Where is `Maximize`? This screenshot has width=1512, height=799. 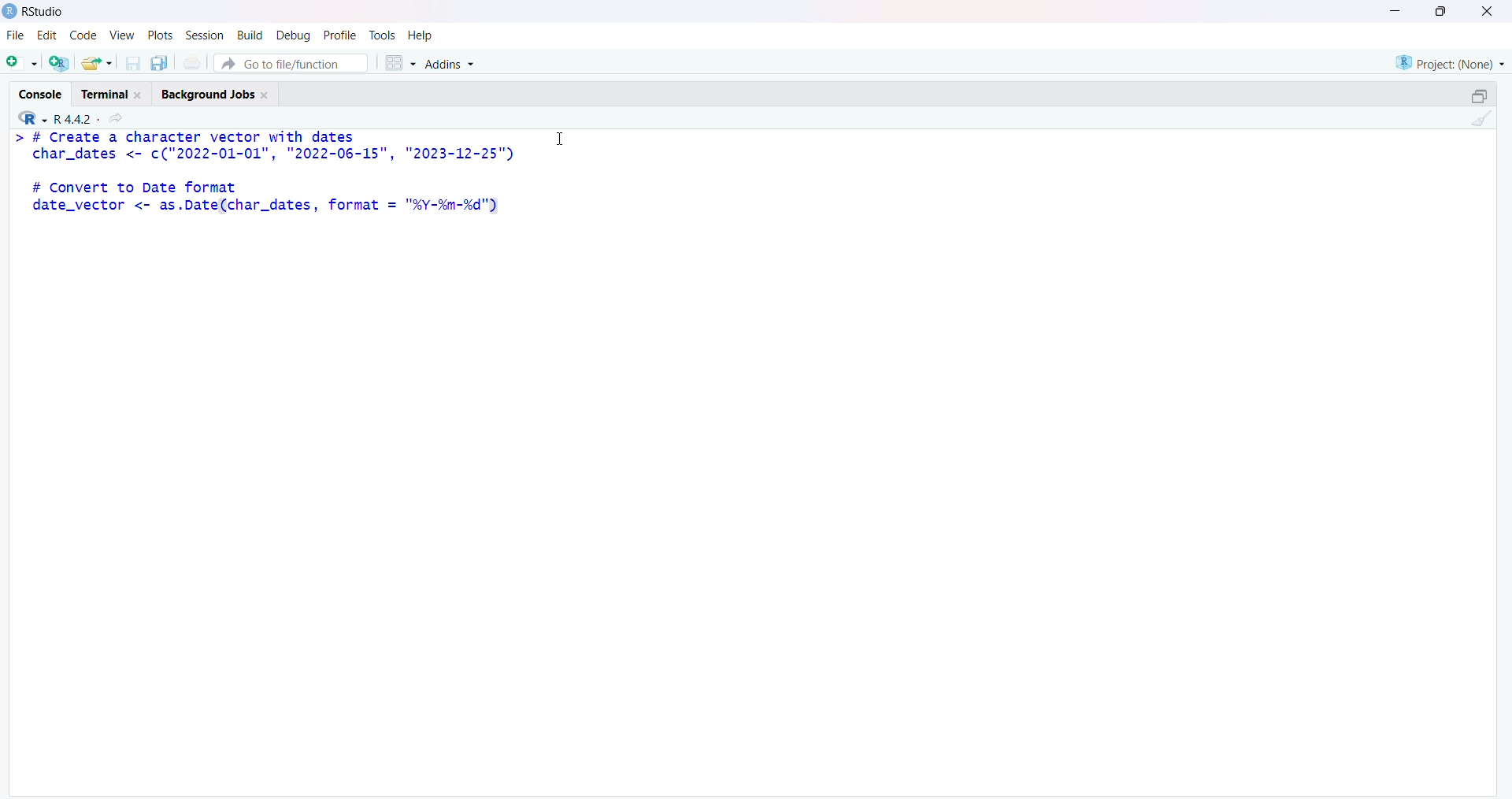
Maximize is located at coordinates (1441, 11).